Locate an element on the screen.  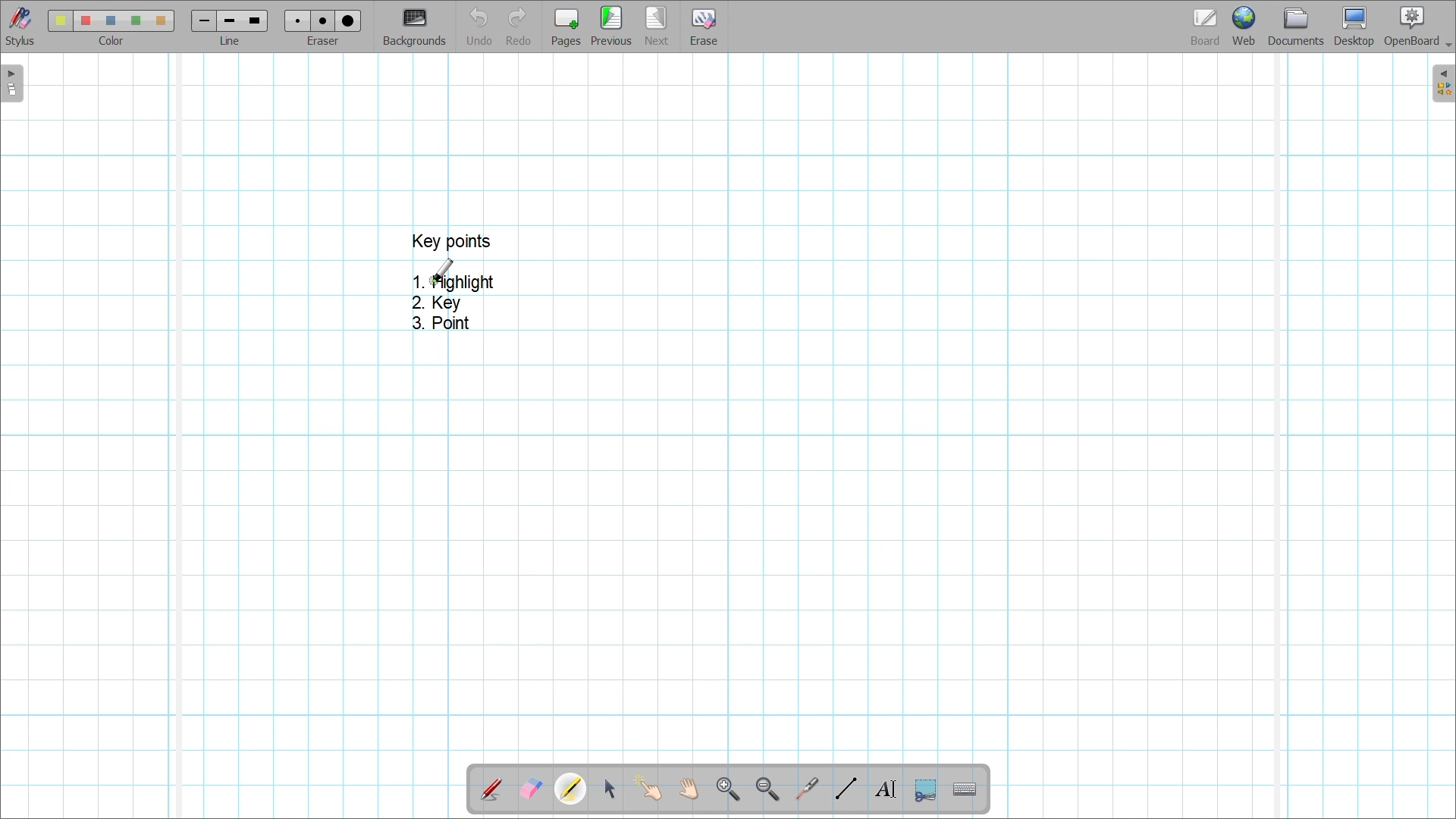
Zoom out is located at coordinates (768, 790).